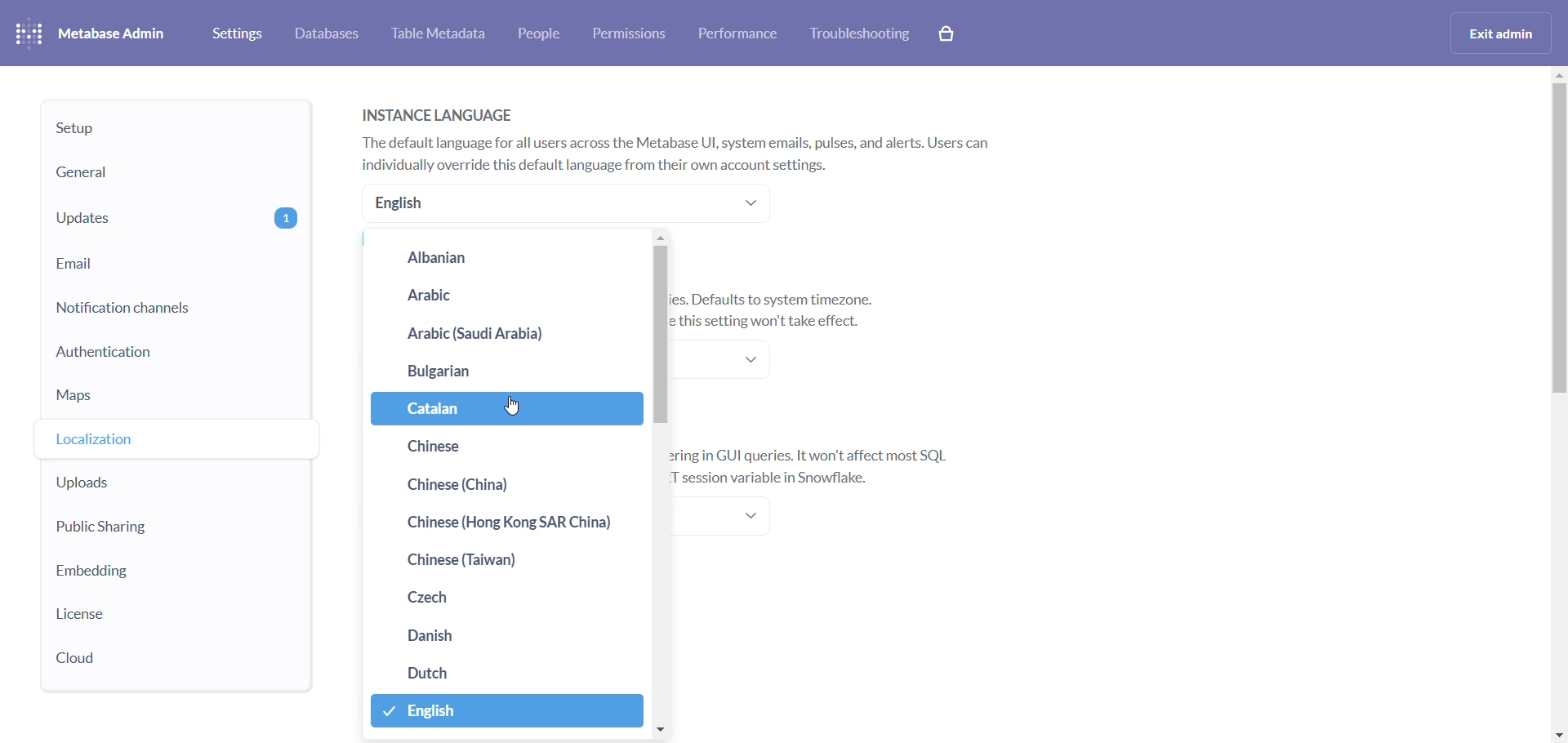 The height and width of the screenshot is (743, 1568). Describe the element at coordinates (171, 215) in the screenshot. I see `updates` at that location.